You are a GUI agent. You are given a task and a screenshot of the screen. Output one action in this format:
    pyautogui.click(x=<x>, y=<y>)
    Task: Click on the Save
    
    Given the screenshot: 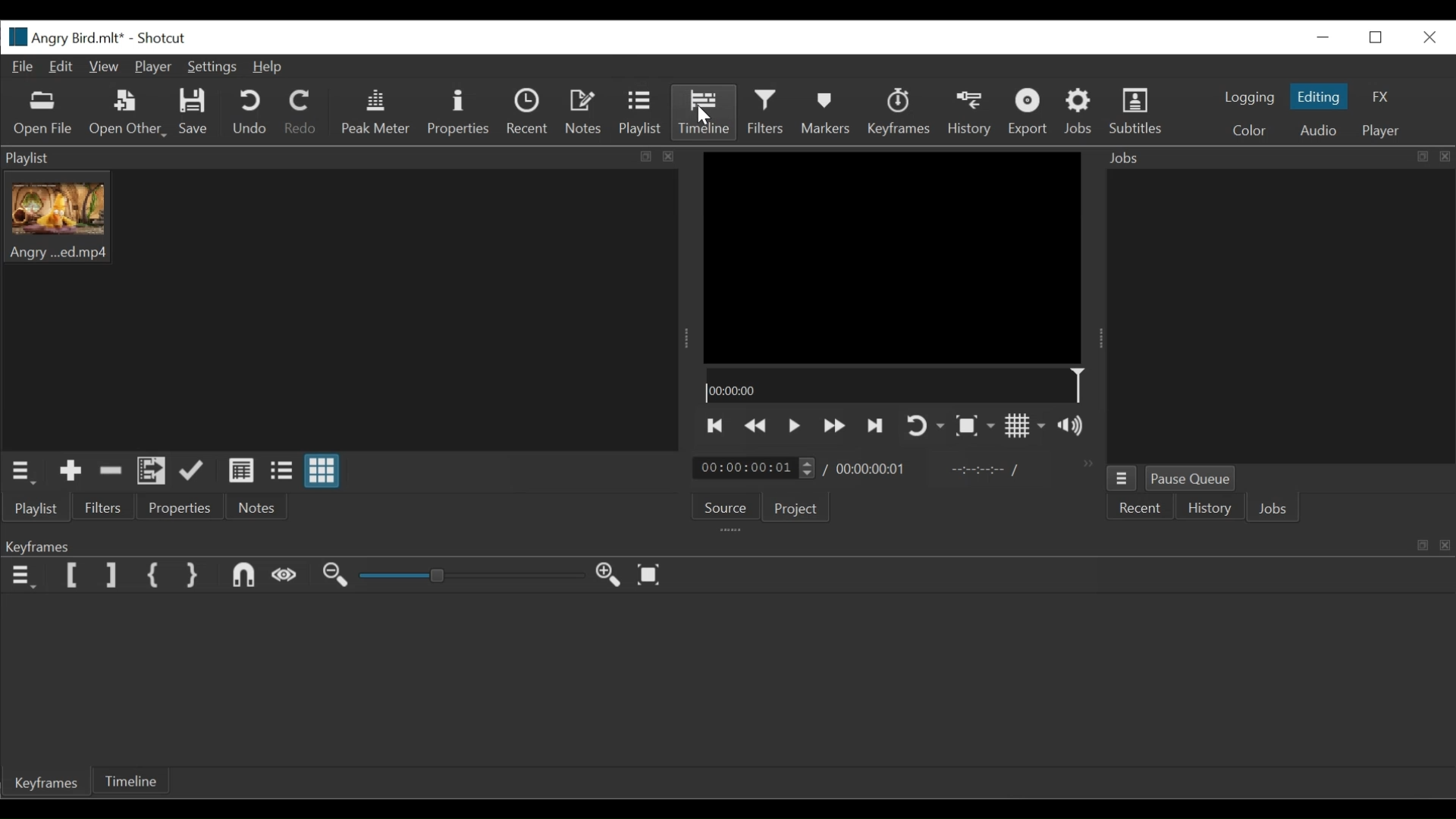 What is the action you would take?
    pyautogui.click(x=194, y=111)
    